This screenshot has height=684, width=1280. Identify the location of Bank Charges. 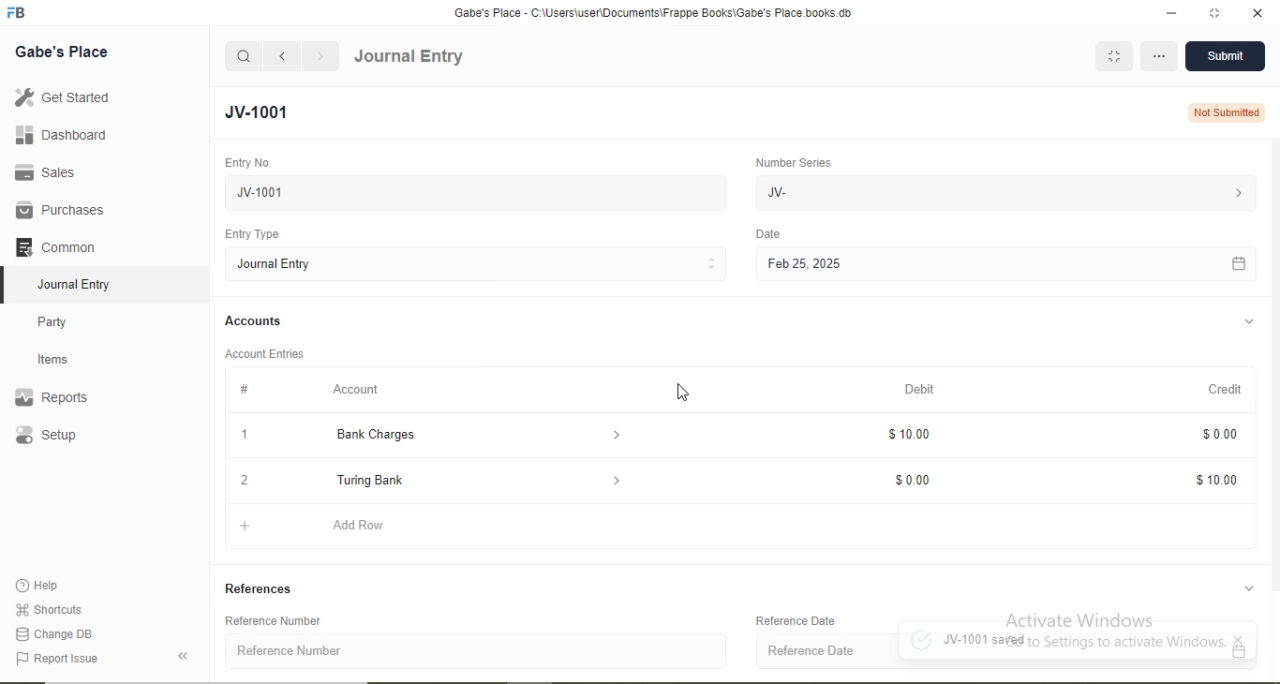
(468, 435).